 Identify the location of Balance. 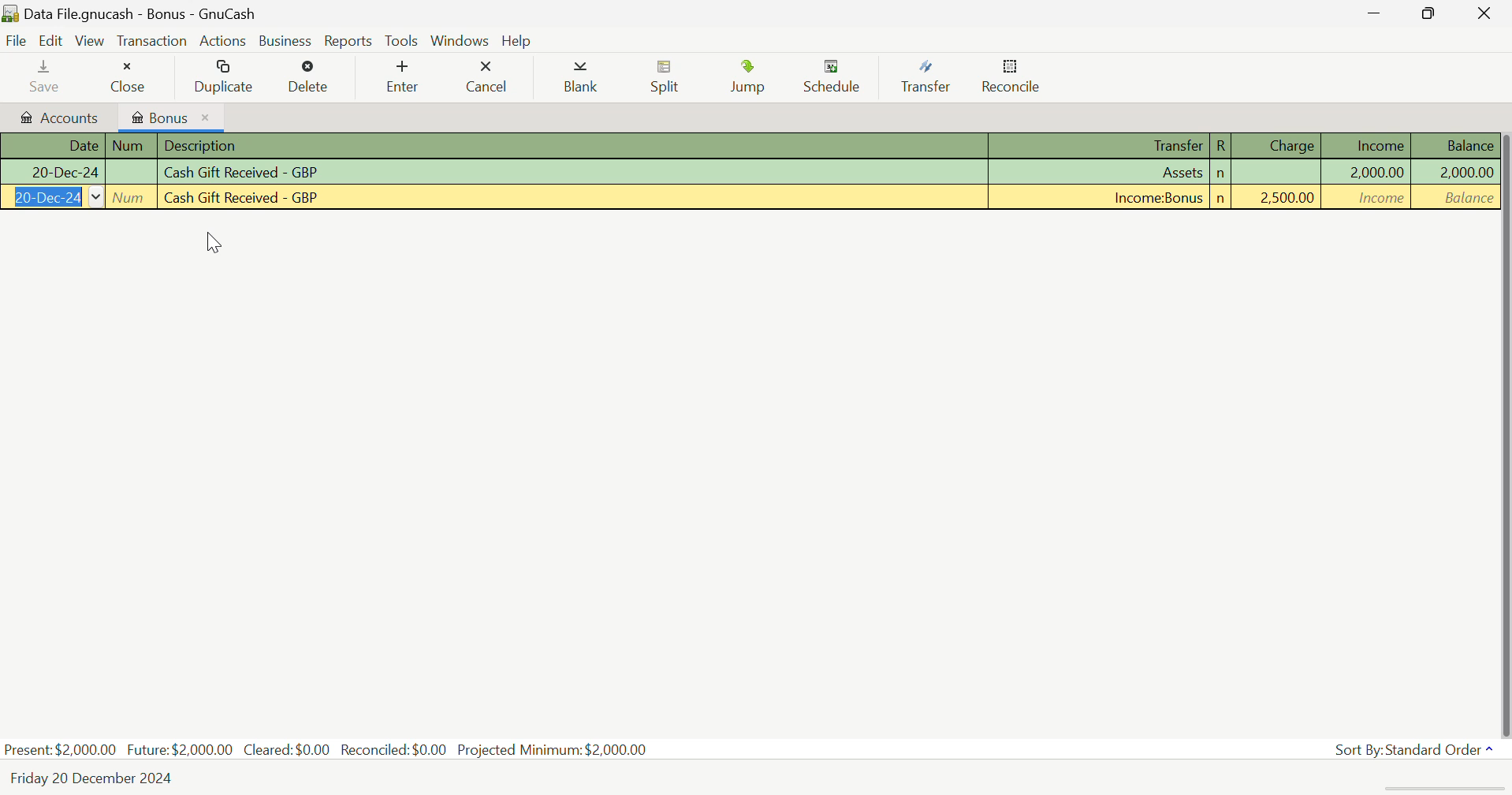
(1455, 171).